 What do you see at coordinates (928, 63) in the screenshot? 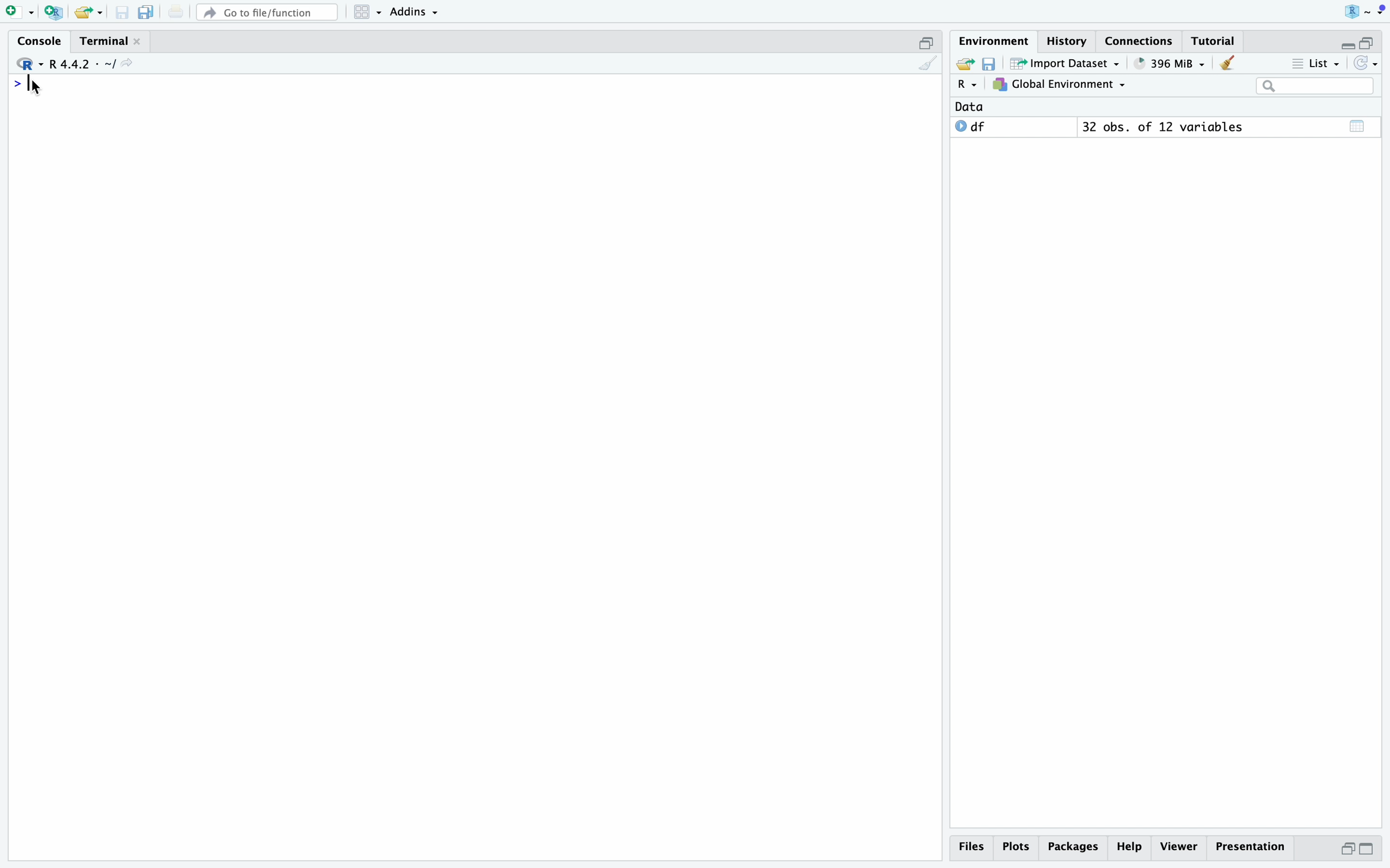
I see `clean` at bounding box center [928, 63].